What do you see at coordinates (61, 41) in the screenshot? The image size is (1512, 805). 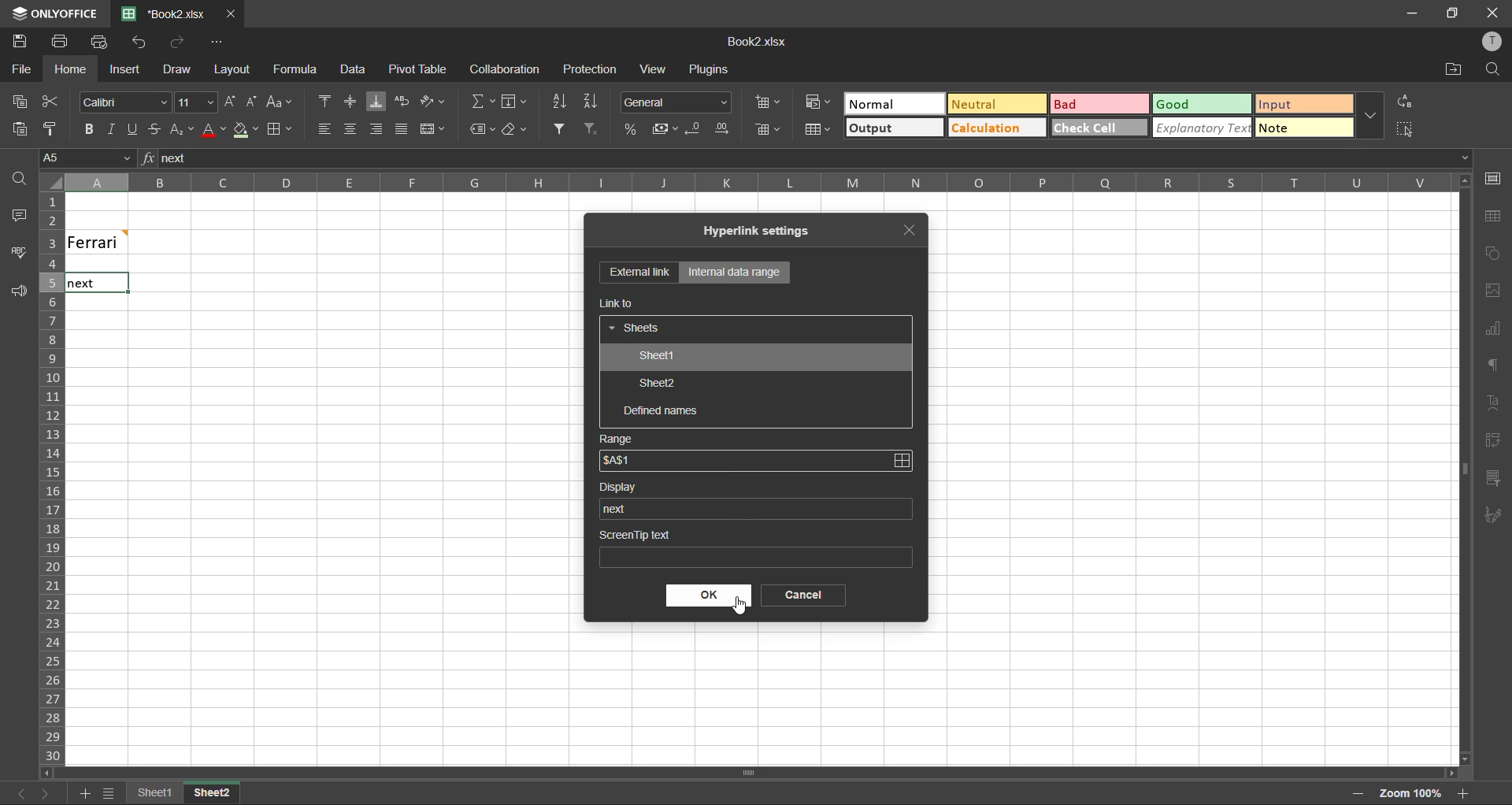 I see `print` at bounding box center [61, 41].